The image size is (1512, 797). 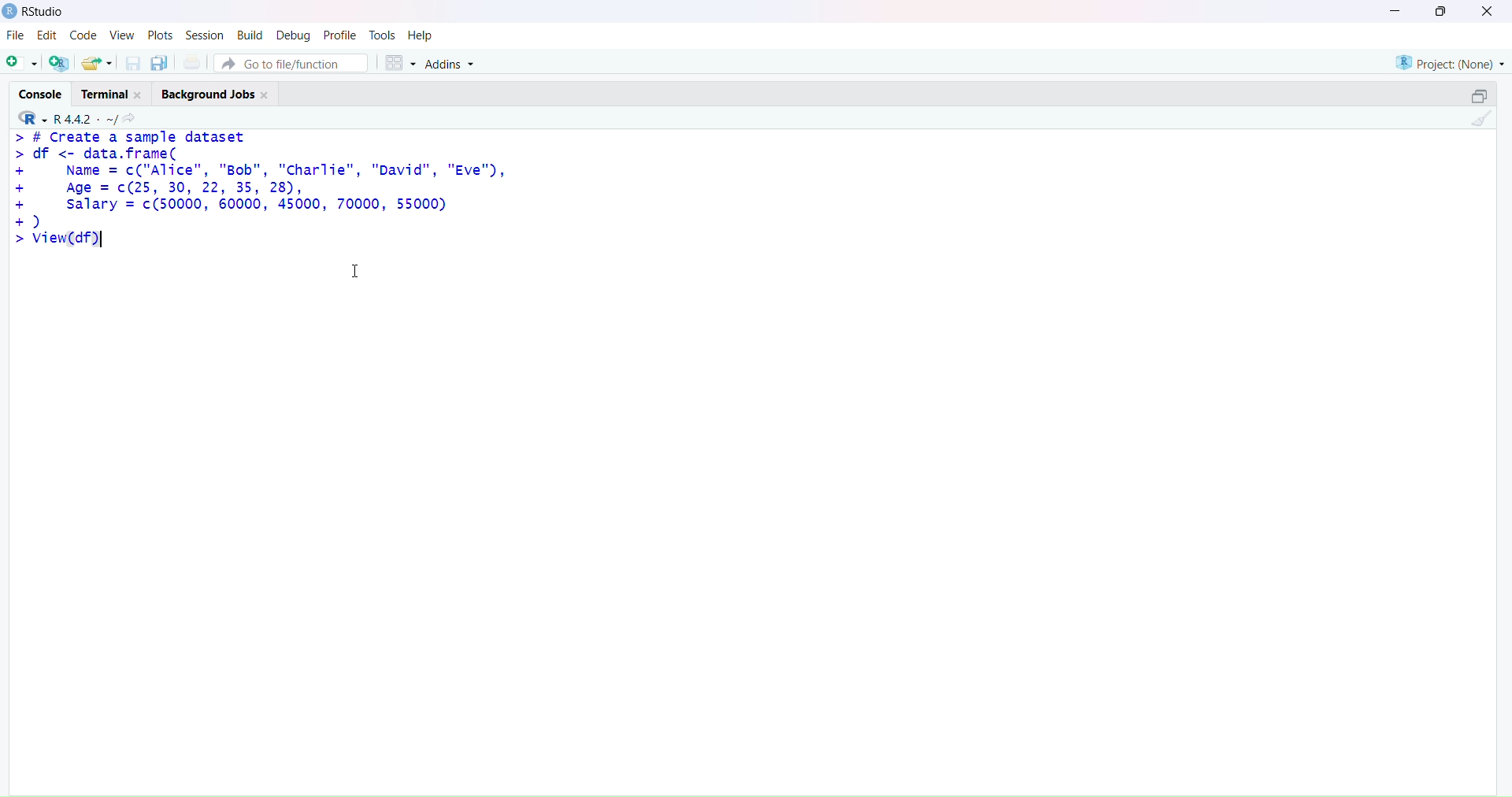 What do you see at coordinates (160, 35) in the screenshot?
I see `plots` at bounding box center [160, 35].